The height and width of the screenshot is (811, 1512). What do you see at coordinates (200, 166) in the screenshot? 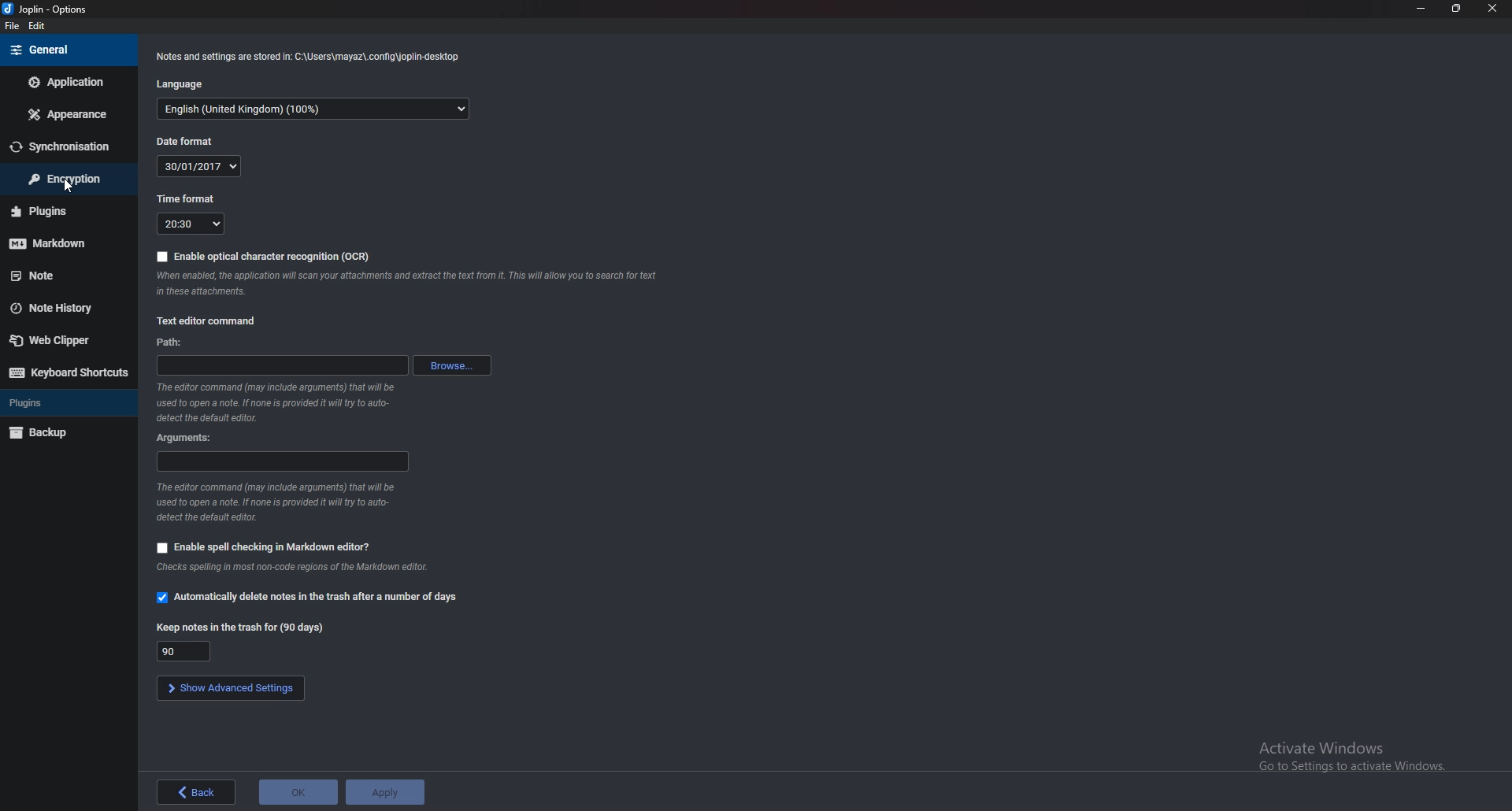
I see `date format` at bounding box center [200, 166].